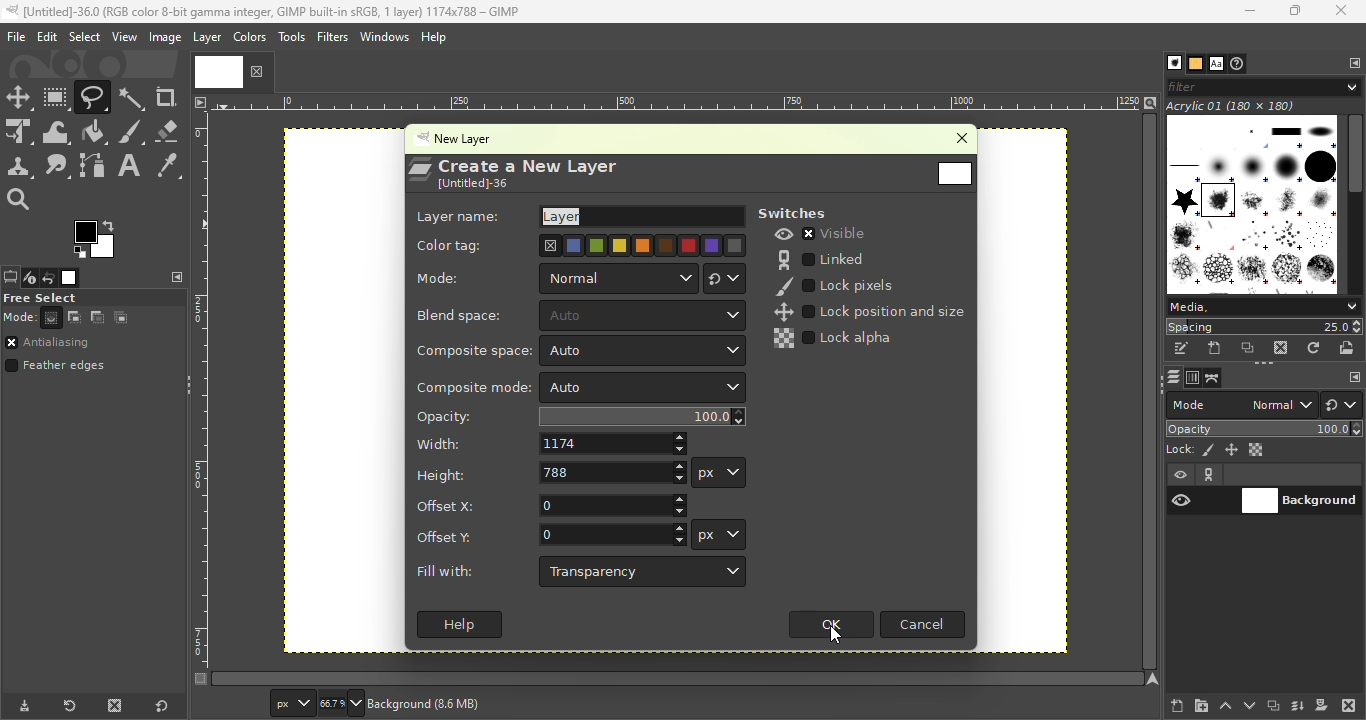 This screenshot has width=1366, height=720. What do you see at coordinates (1316, 347) in the screenshot?
I see `Refresh brushes` at bounding box center [1316, 347].